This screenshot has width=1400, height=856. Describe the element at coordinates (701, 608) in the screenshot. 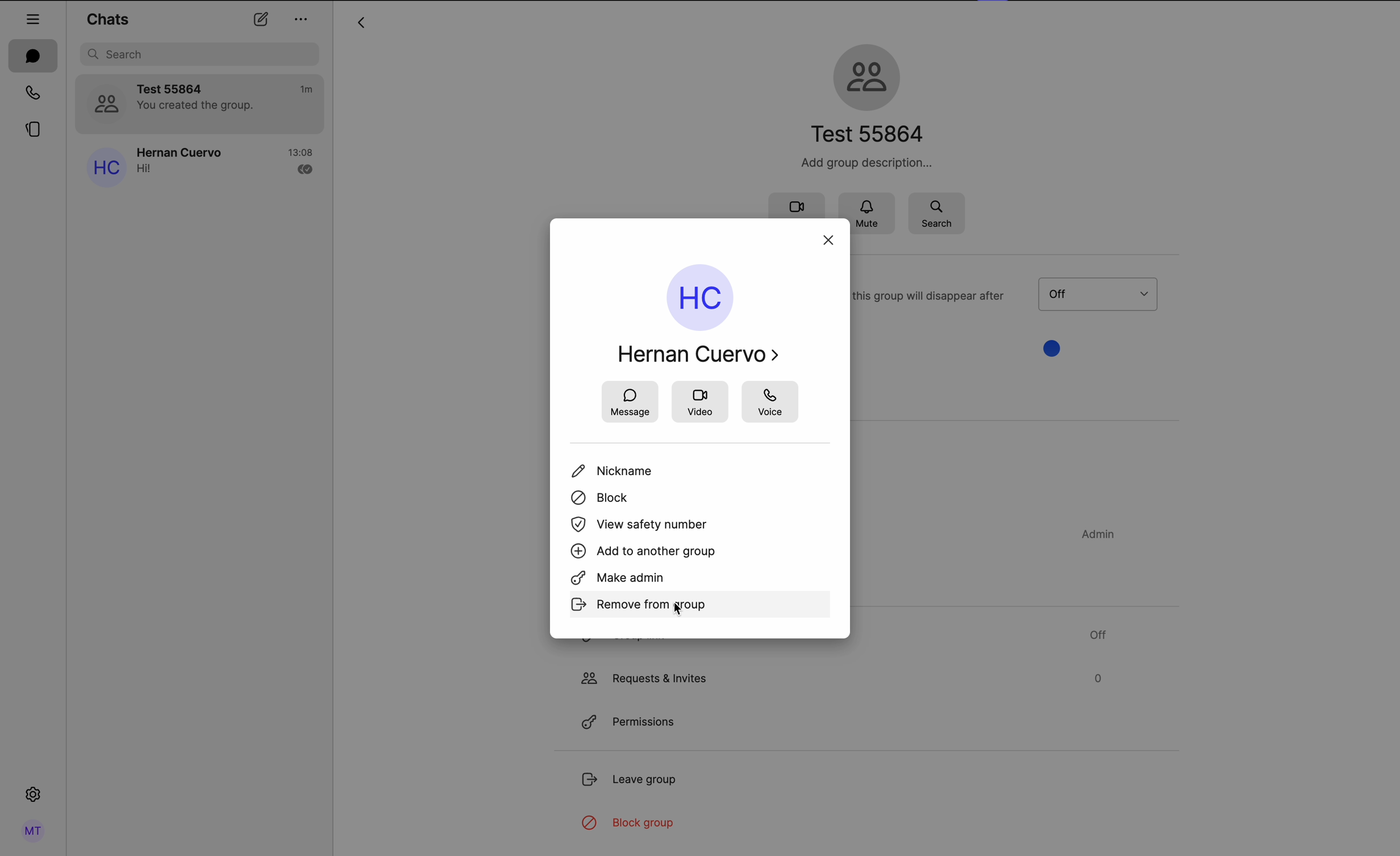

I see `click on remove from group` at that location.